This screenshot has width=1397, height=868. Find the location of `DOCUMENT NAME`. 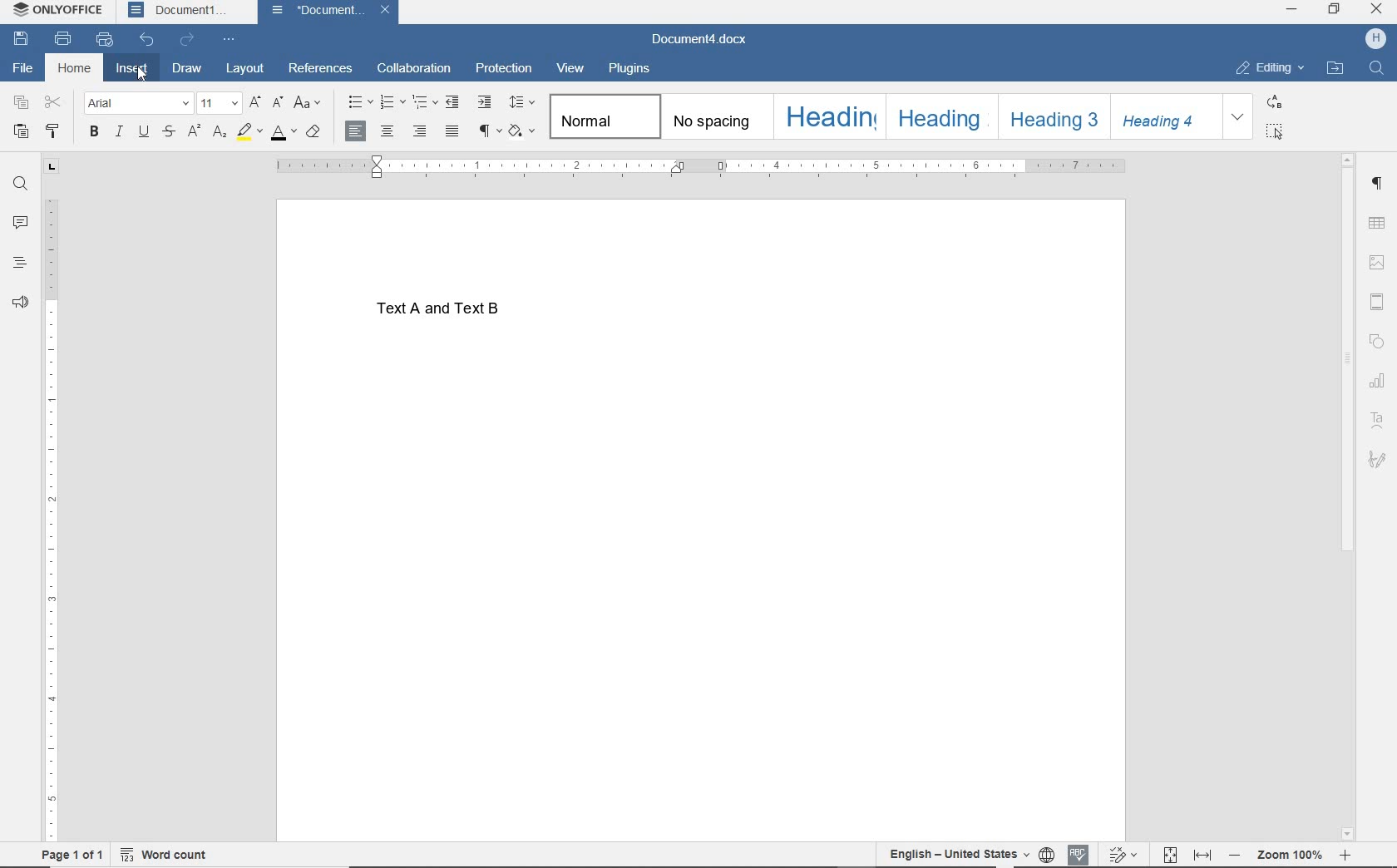

DOCUMENT NAME is located at coordinates (699, 41).